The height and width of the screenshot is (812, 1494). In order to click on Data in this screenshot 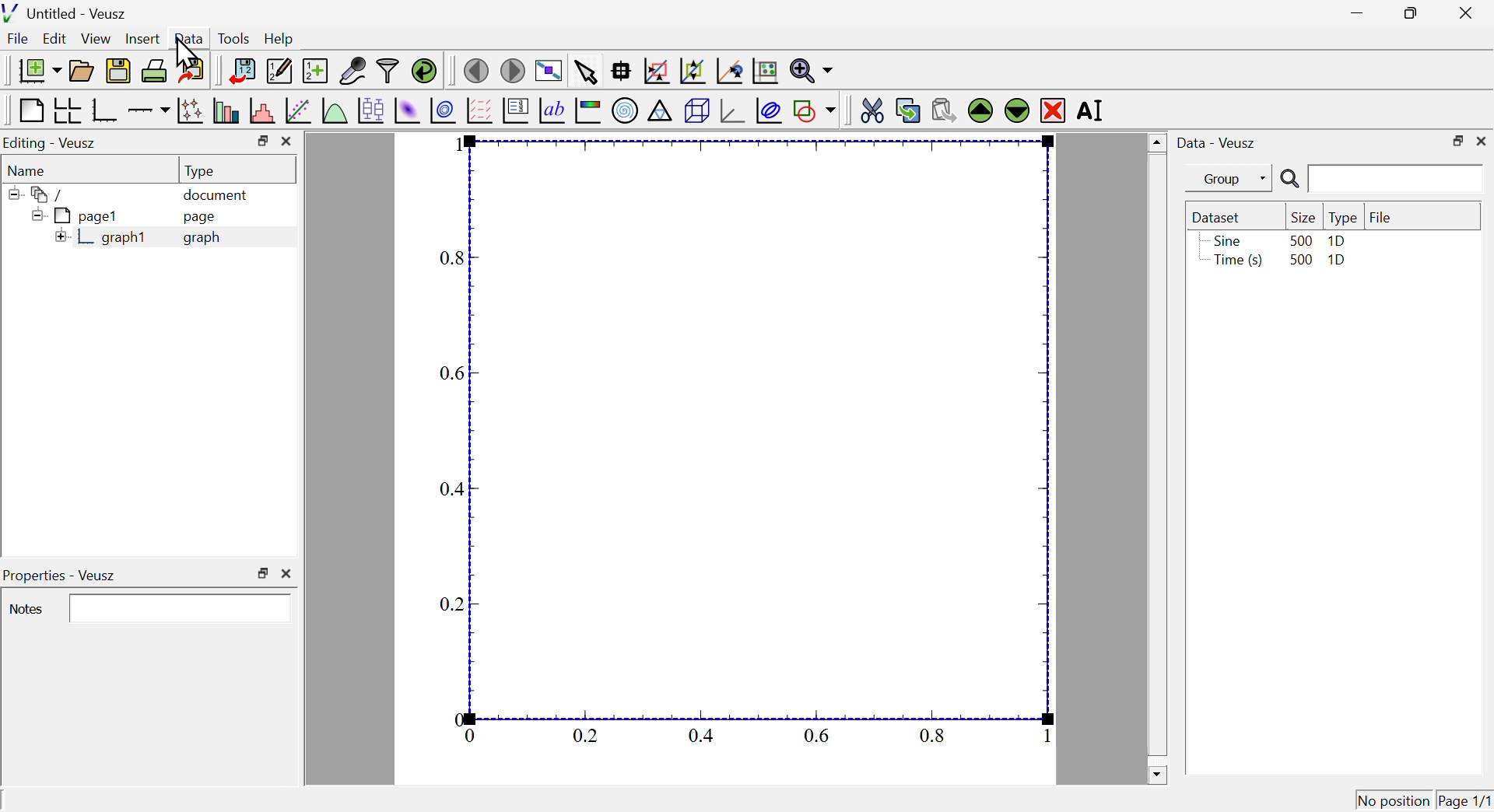, I will do `click(189, 37)`.